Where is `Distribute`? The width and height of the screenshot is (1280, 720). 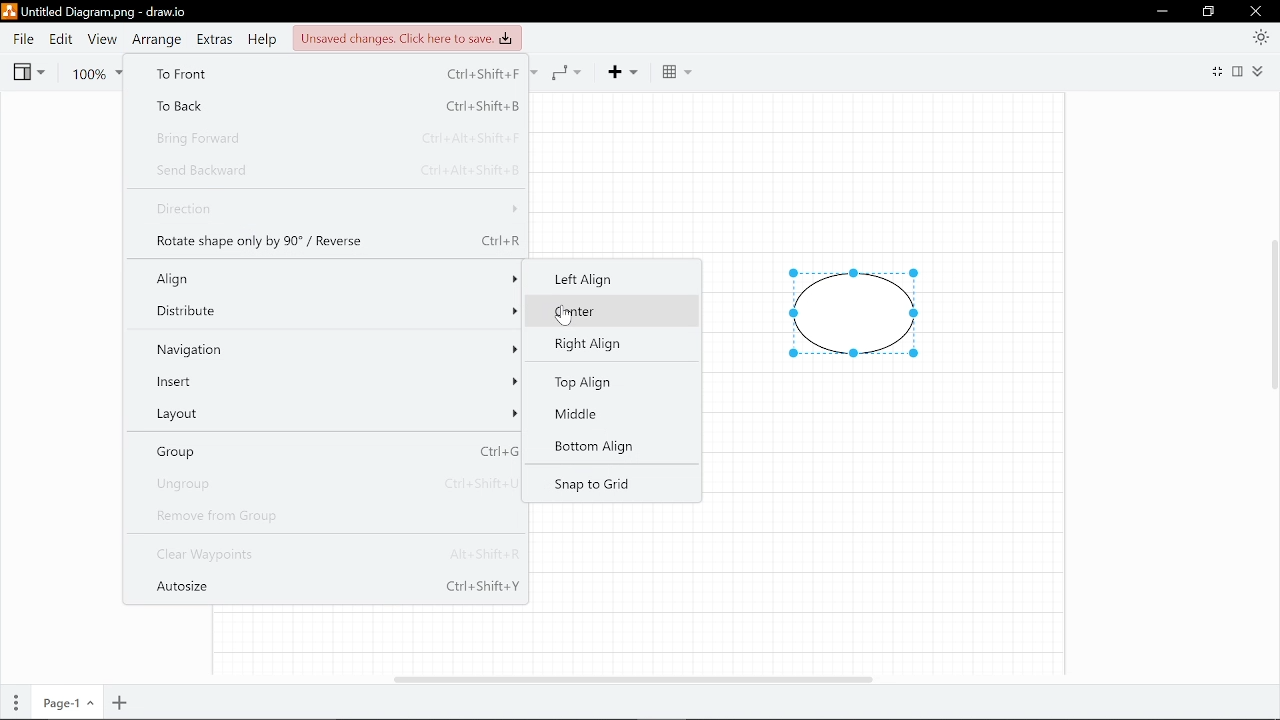 Distribute is located at coordinates (330, 312).